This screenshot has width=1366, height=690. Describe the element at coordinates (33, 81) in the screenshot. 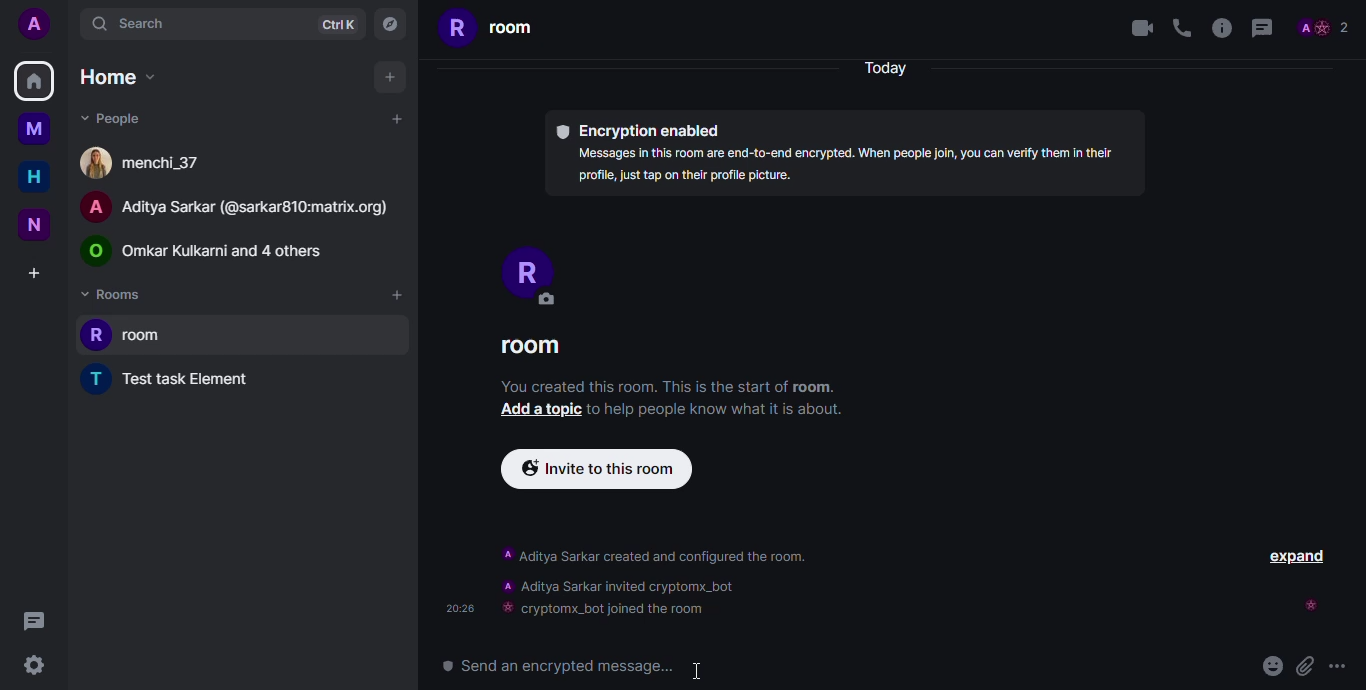

I see `home` at that location.